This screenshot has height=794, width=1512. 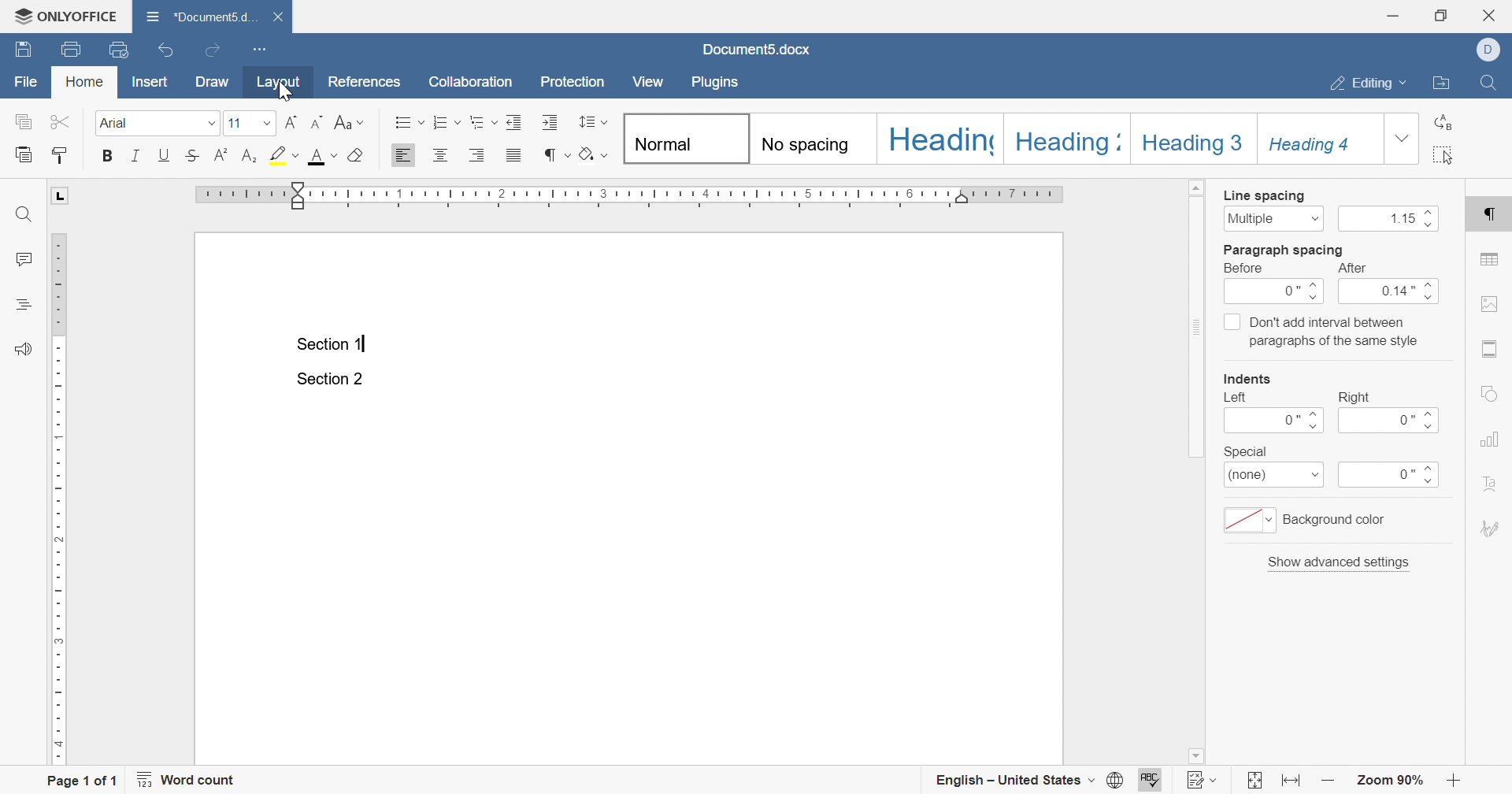 What do you see at coordinates (1444, 123) in the screenshot?
I see `replace` at bounding box center [1444, 123].